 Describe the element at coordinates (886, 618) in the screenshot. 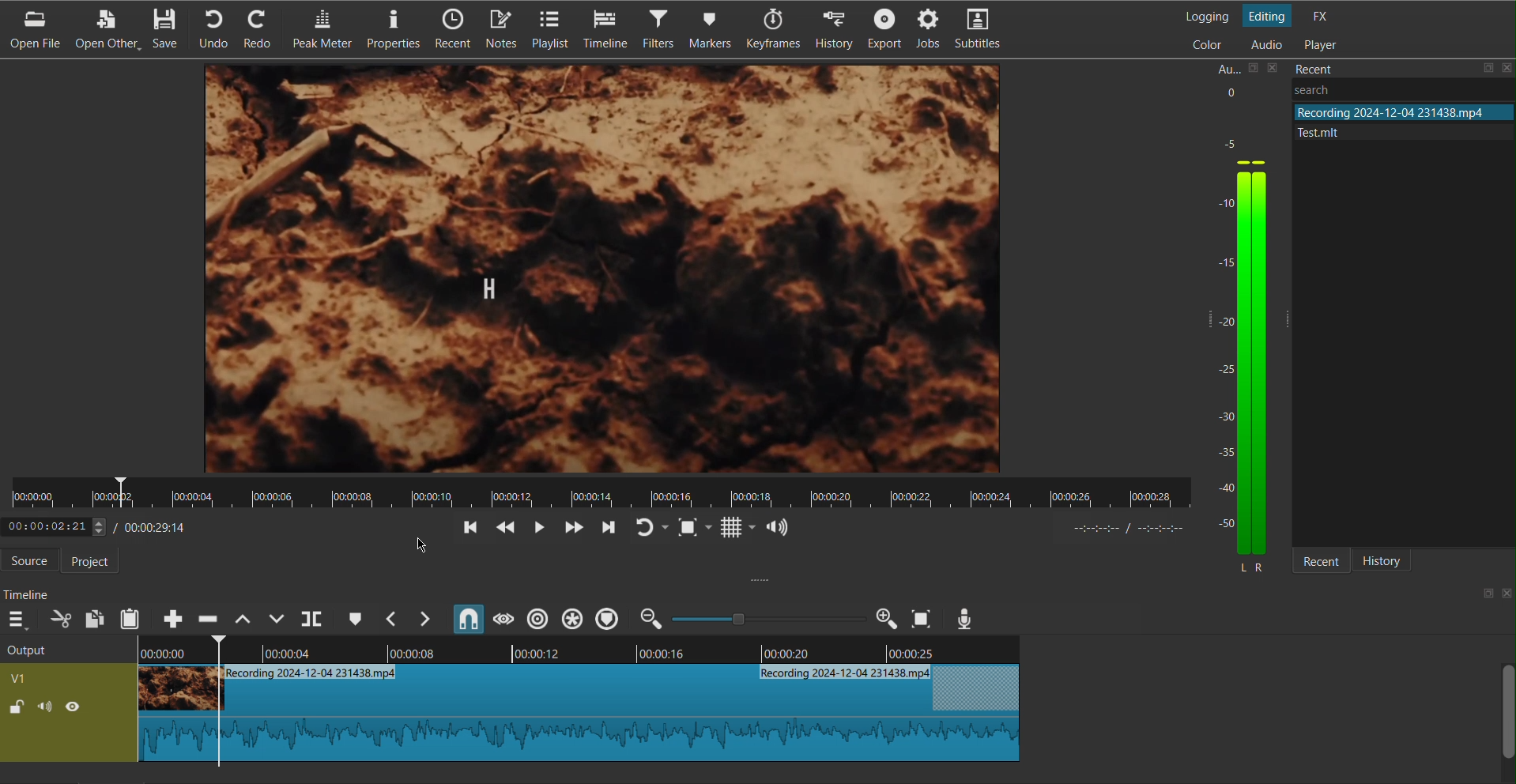

I see `Zoom in` at that location.